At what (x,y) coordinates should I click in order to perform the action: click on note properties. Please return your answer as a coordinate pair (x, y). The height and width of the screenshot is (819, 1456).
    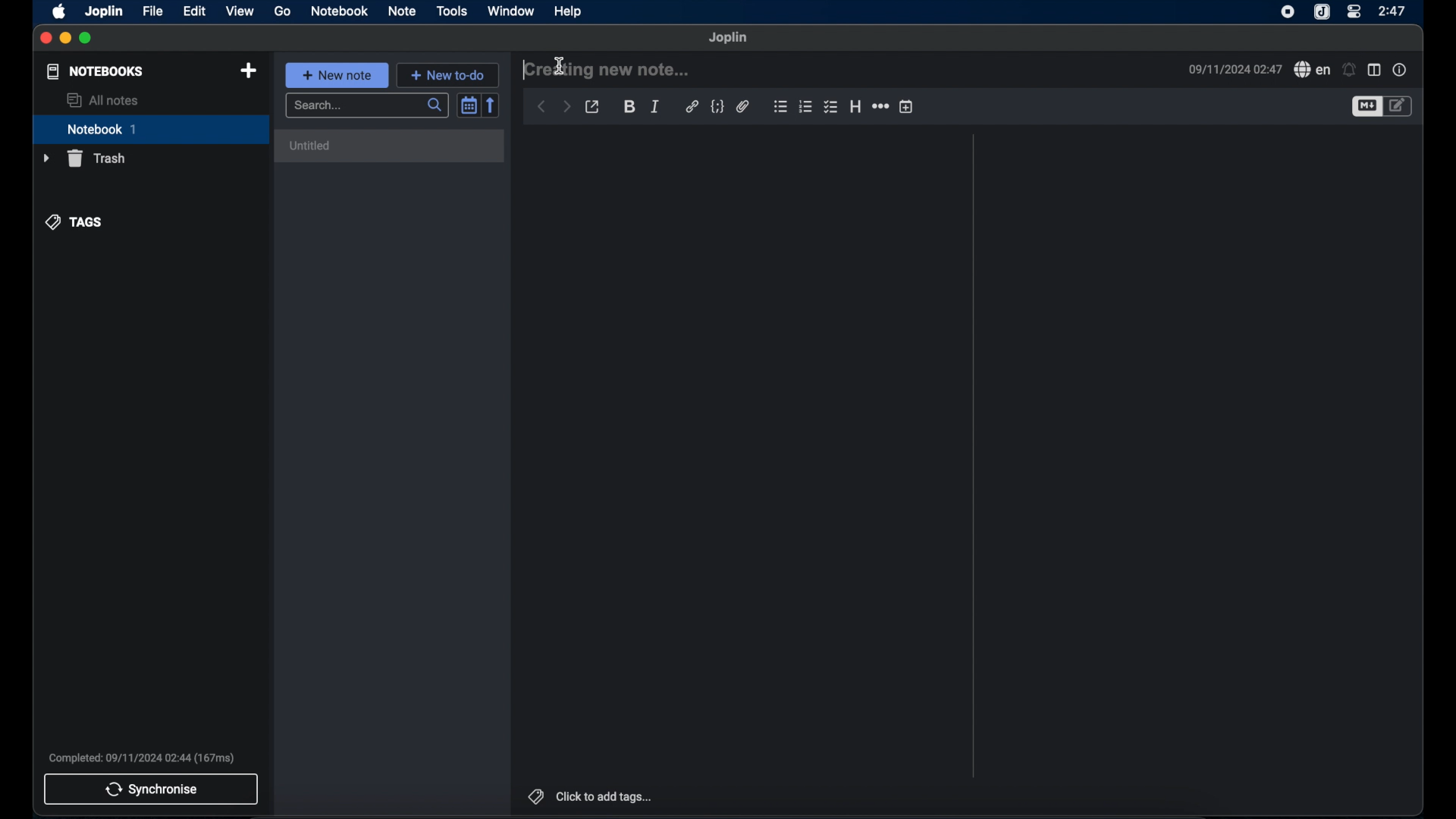
    Looking at the image, I should click on (1399, 69).